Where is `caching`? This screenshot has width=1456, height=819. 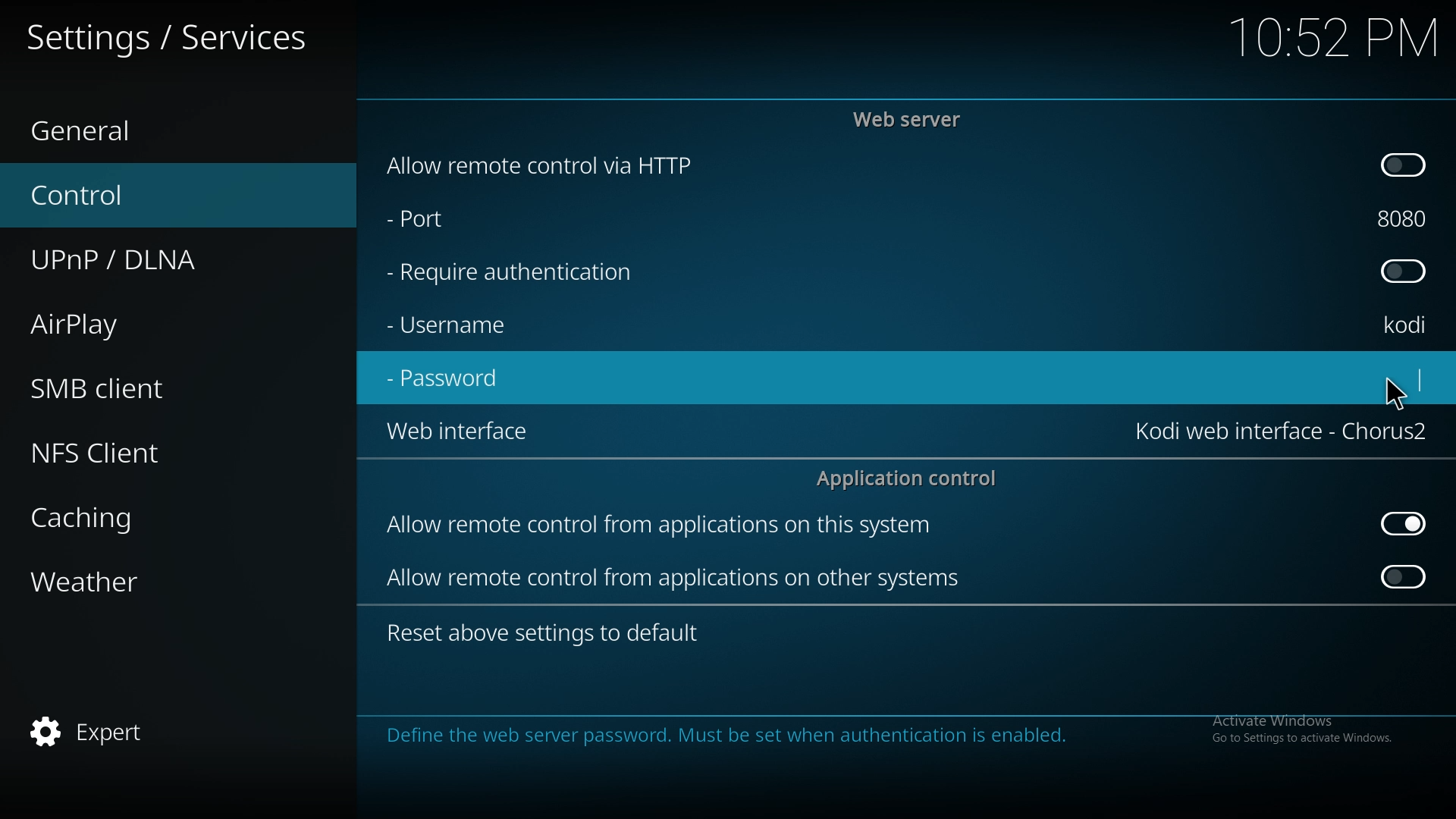
caching is located at coordinates (155, 514).